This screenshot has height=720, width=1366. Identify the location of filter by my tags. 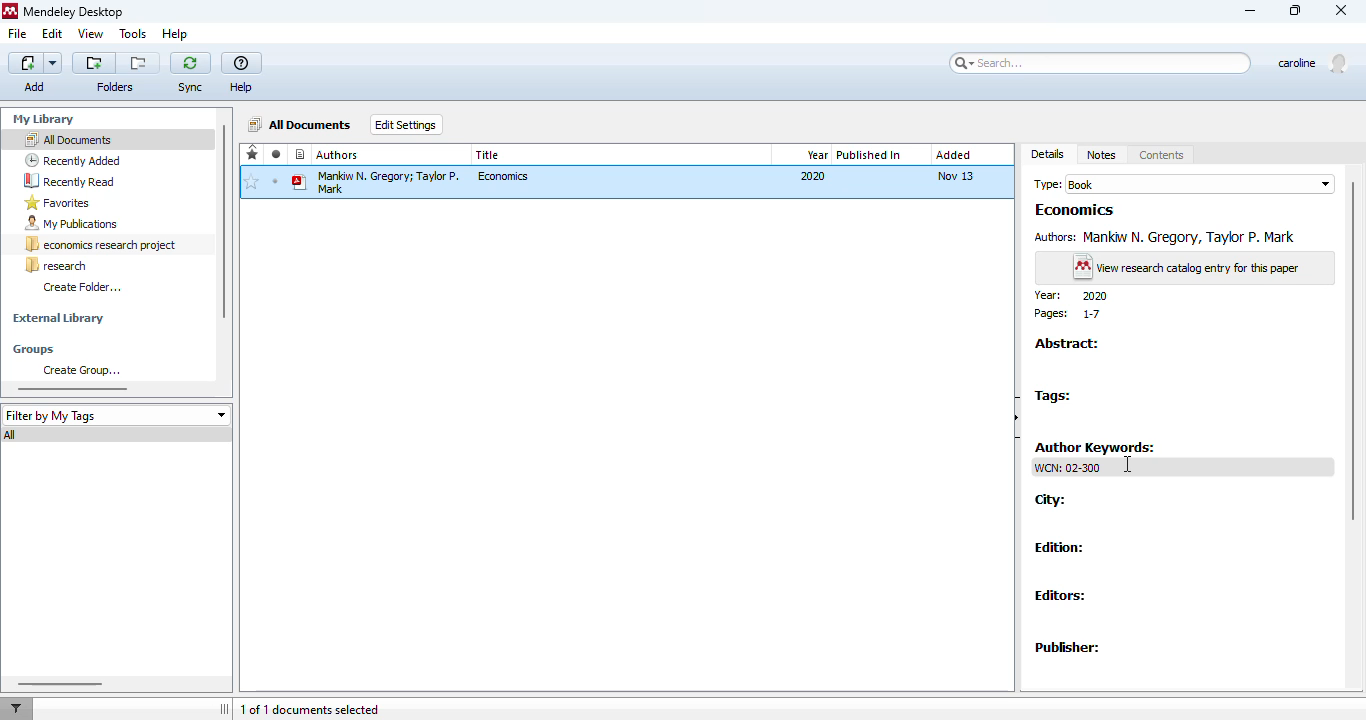
(116, 416).